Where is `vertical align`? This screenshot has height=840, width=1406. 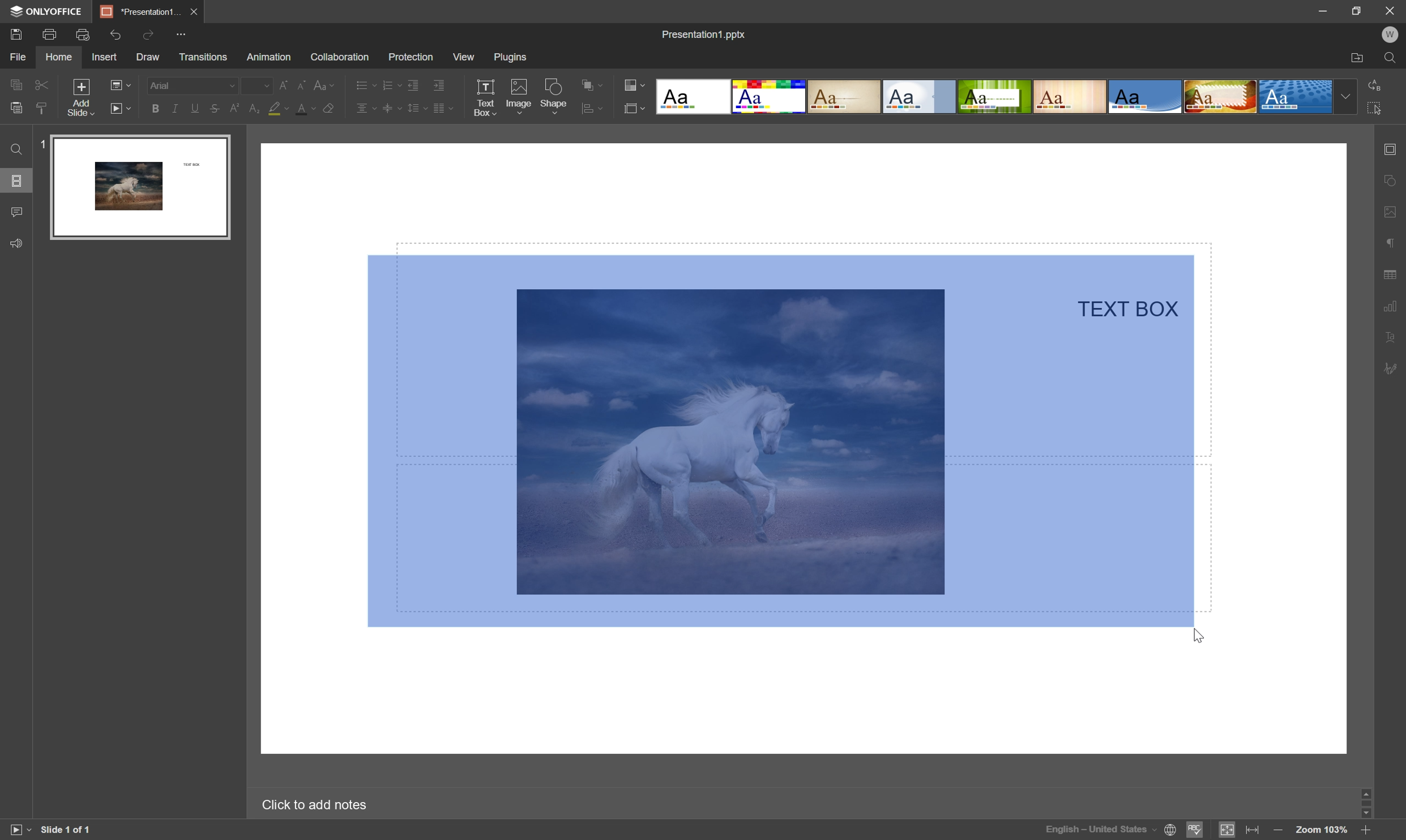
vertical align is located at coordinates (392, 108).